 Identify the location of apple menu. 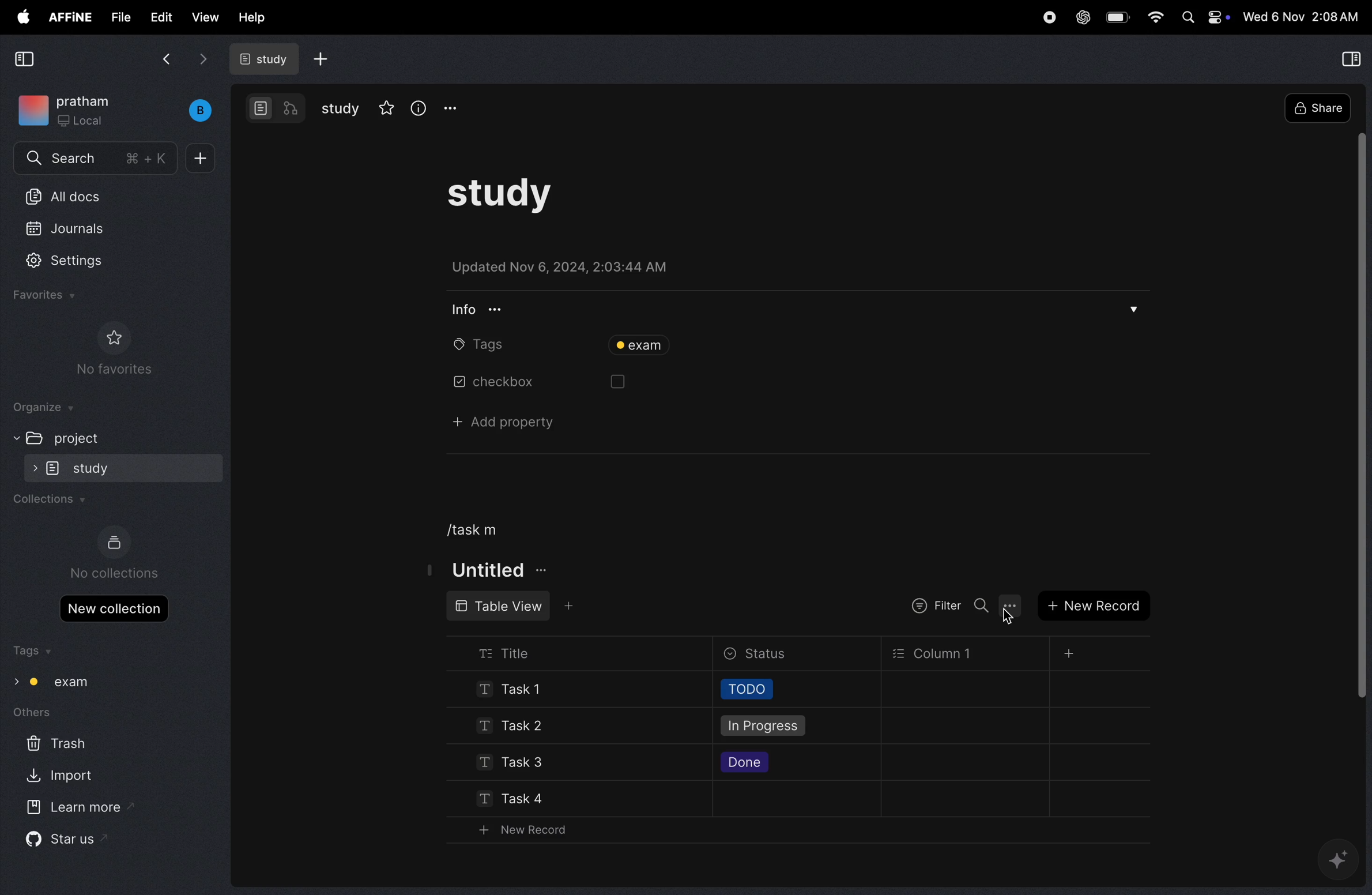
(19, 17).